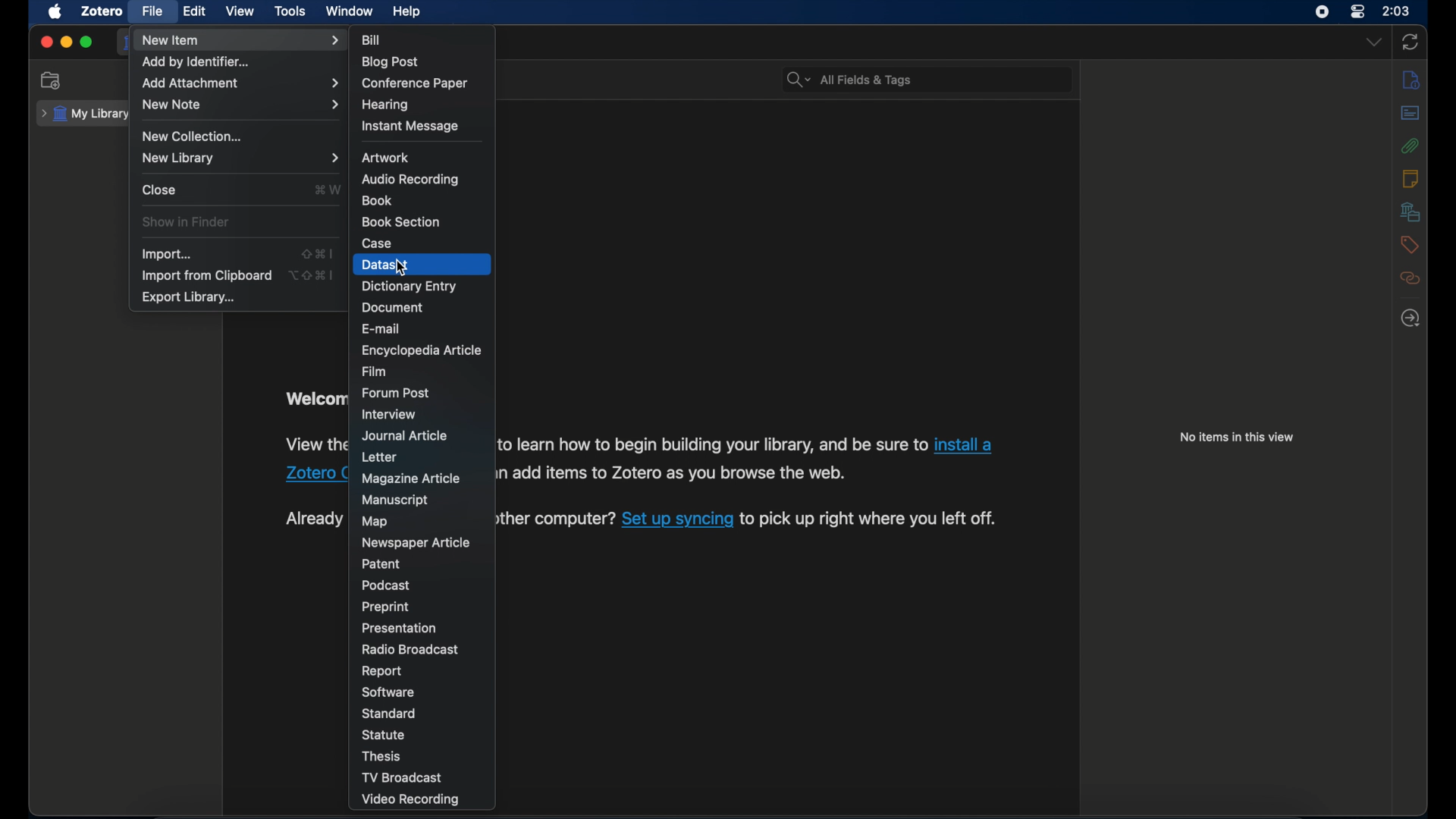 This screenshot has width=1456, height=819. I want to click on tags, so click(1411, 245).